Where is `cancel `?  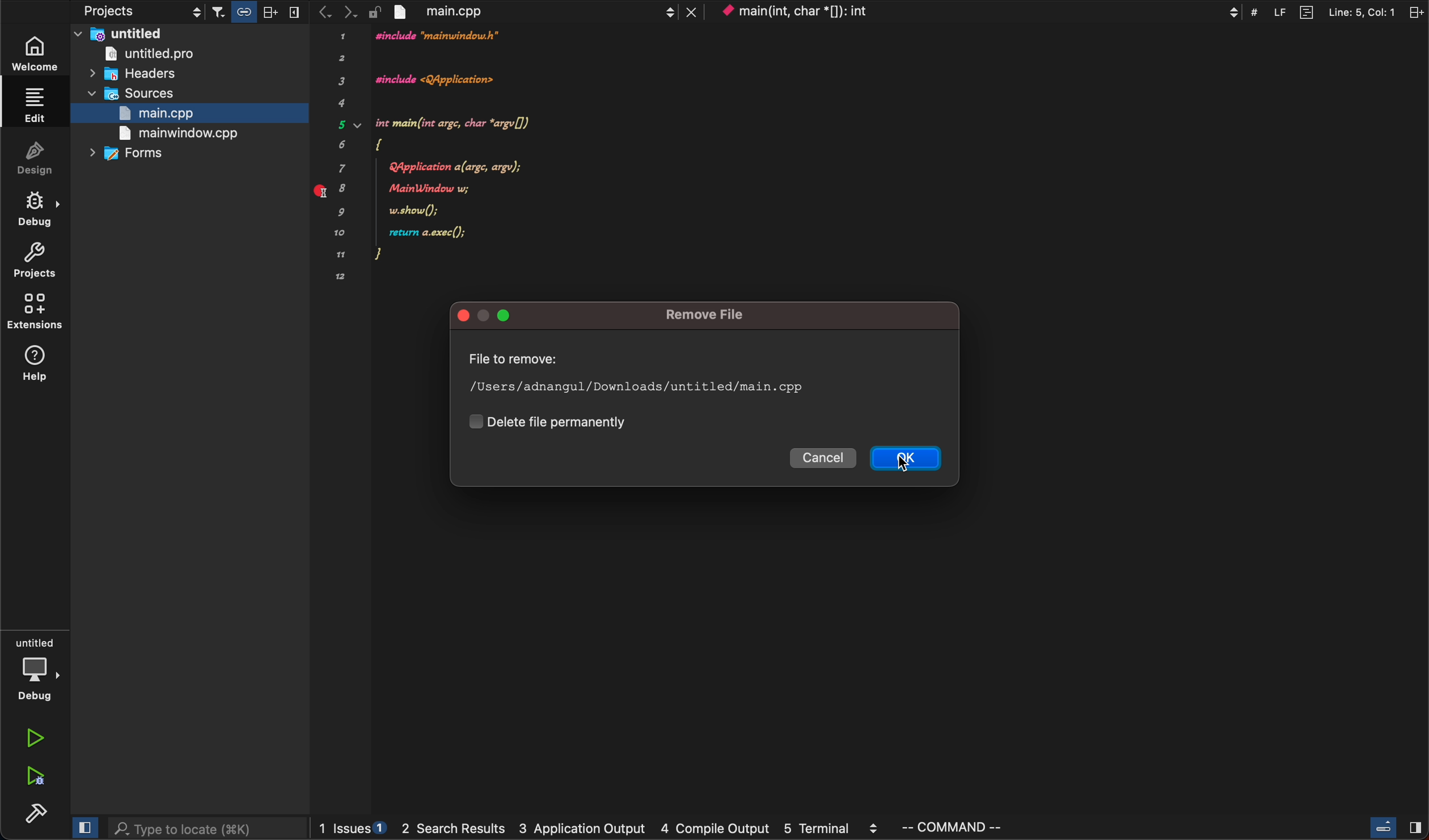 cancel  is located at coordinates (826, 459).